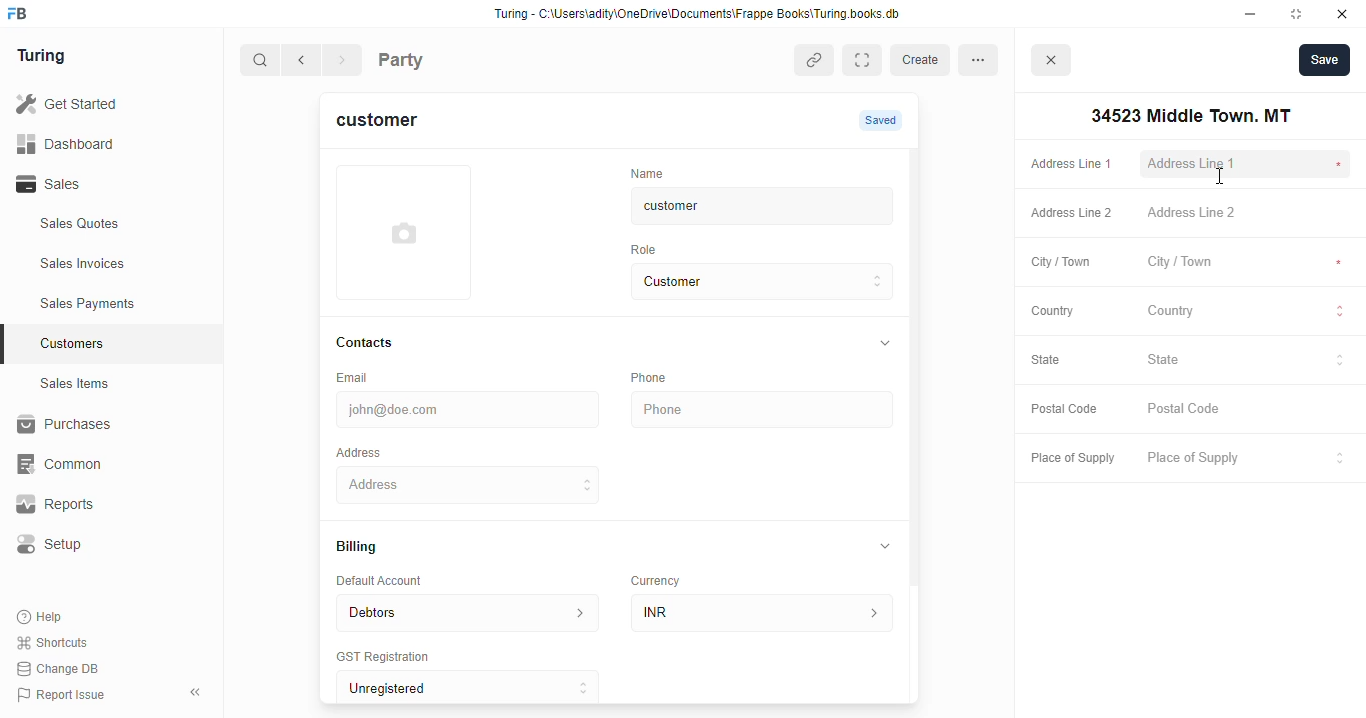 This screenshot has width=1366, height=718. Describe the element at coordinates (652, 172) in the screenshot. I see `‘Name` at that location.